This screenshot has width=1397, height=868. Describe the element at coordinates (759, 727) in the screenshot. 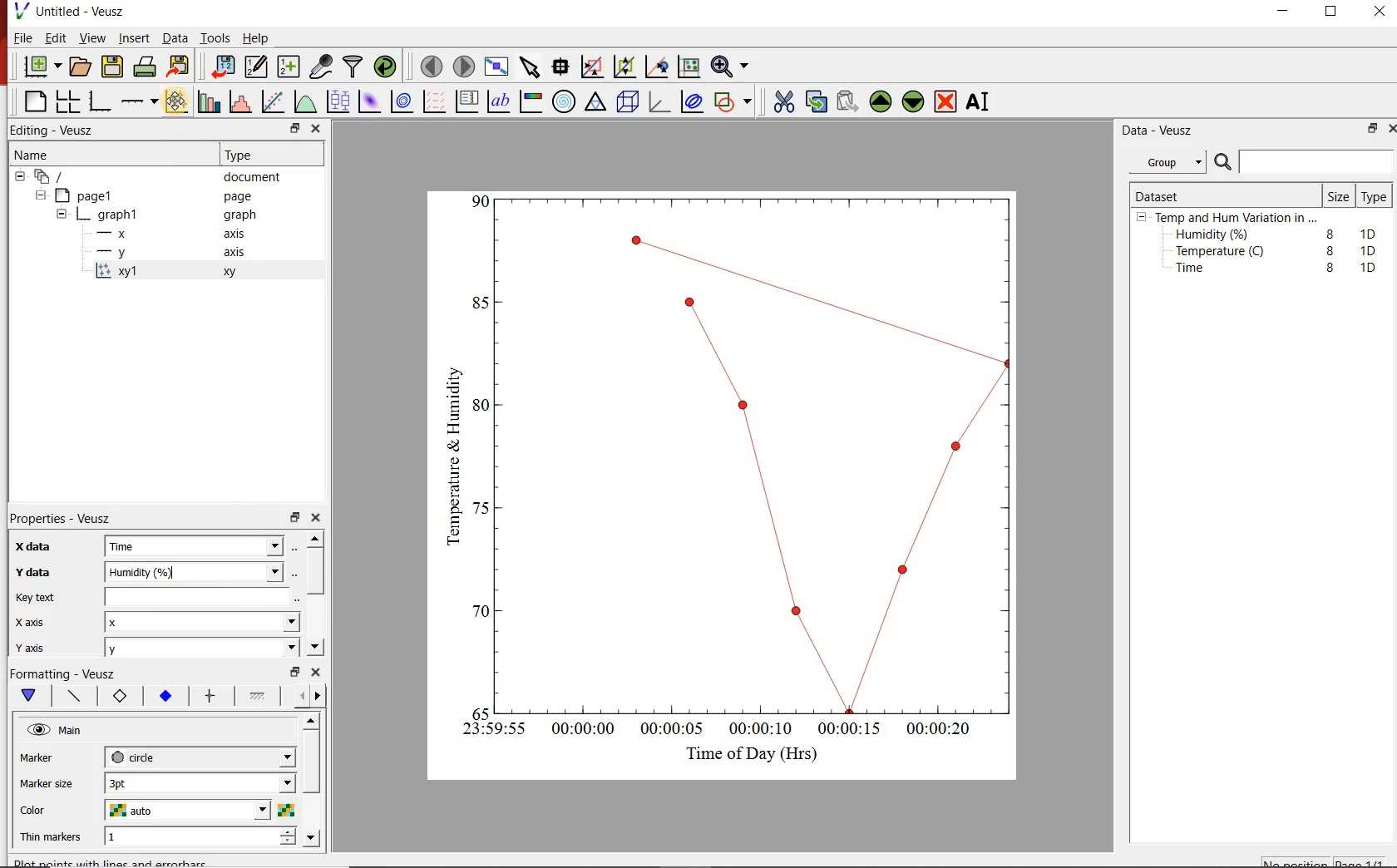

I see `00:00:10` at that location.